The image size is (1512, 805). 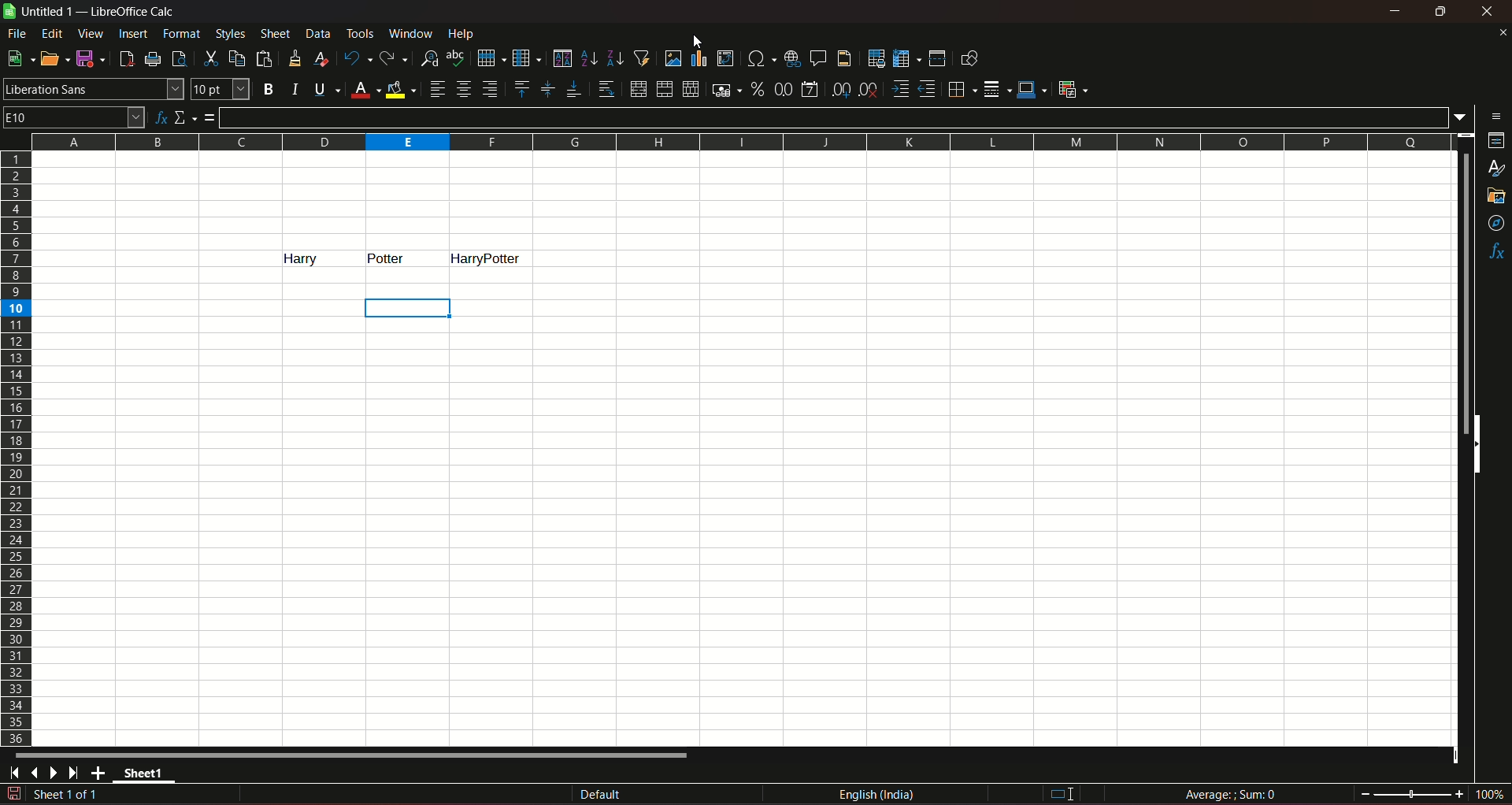 What do you see at coordinates (326, 89) in the screenshot?
I see `underline` at bounding box center [326, 89].